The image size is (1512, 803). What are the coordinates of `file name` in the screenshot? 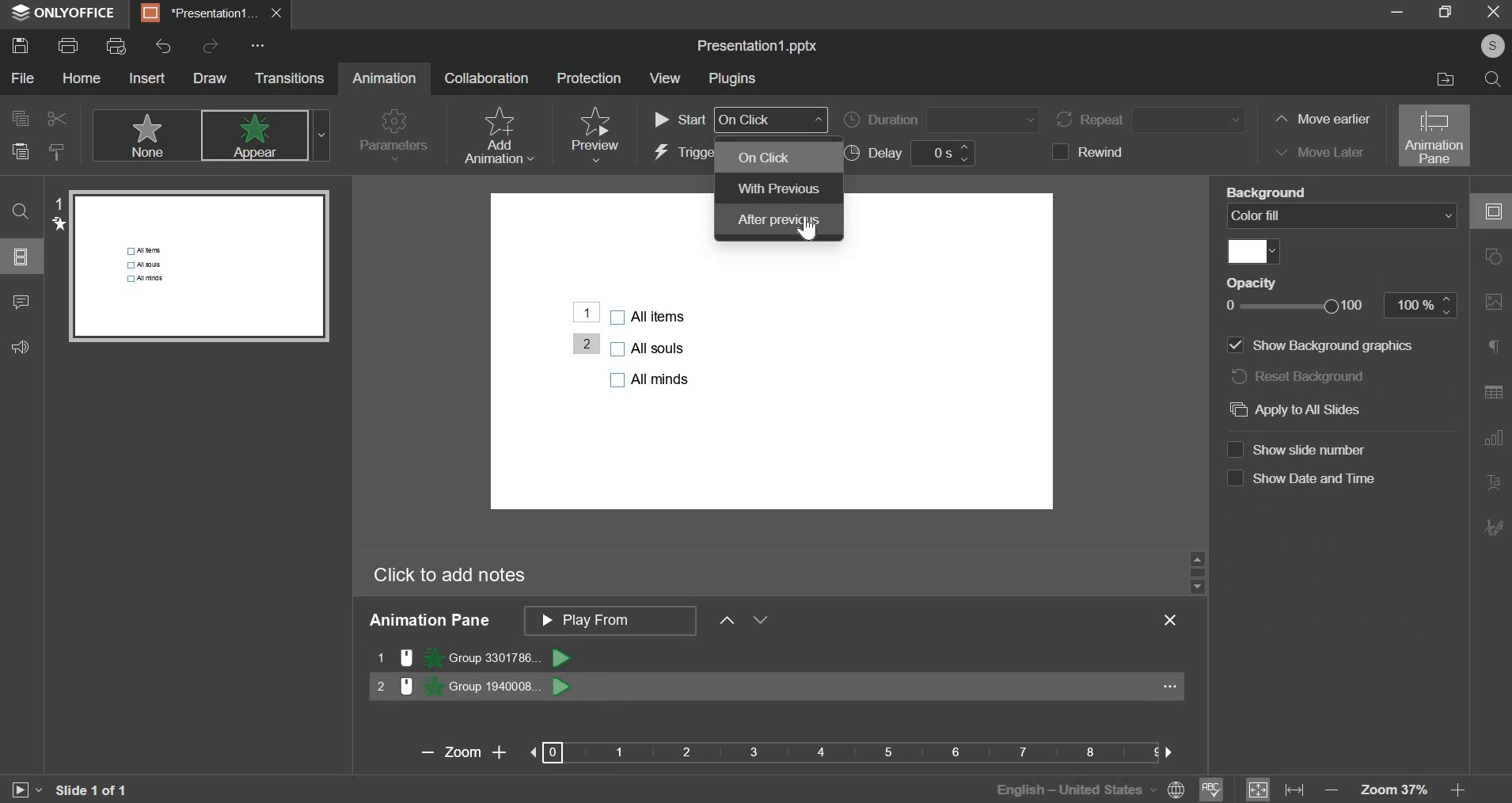 It's located at (758, 47).